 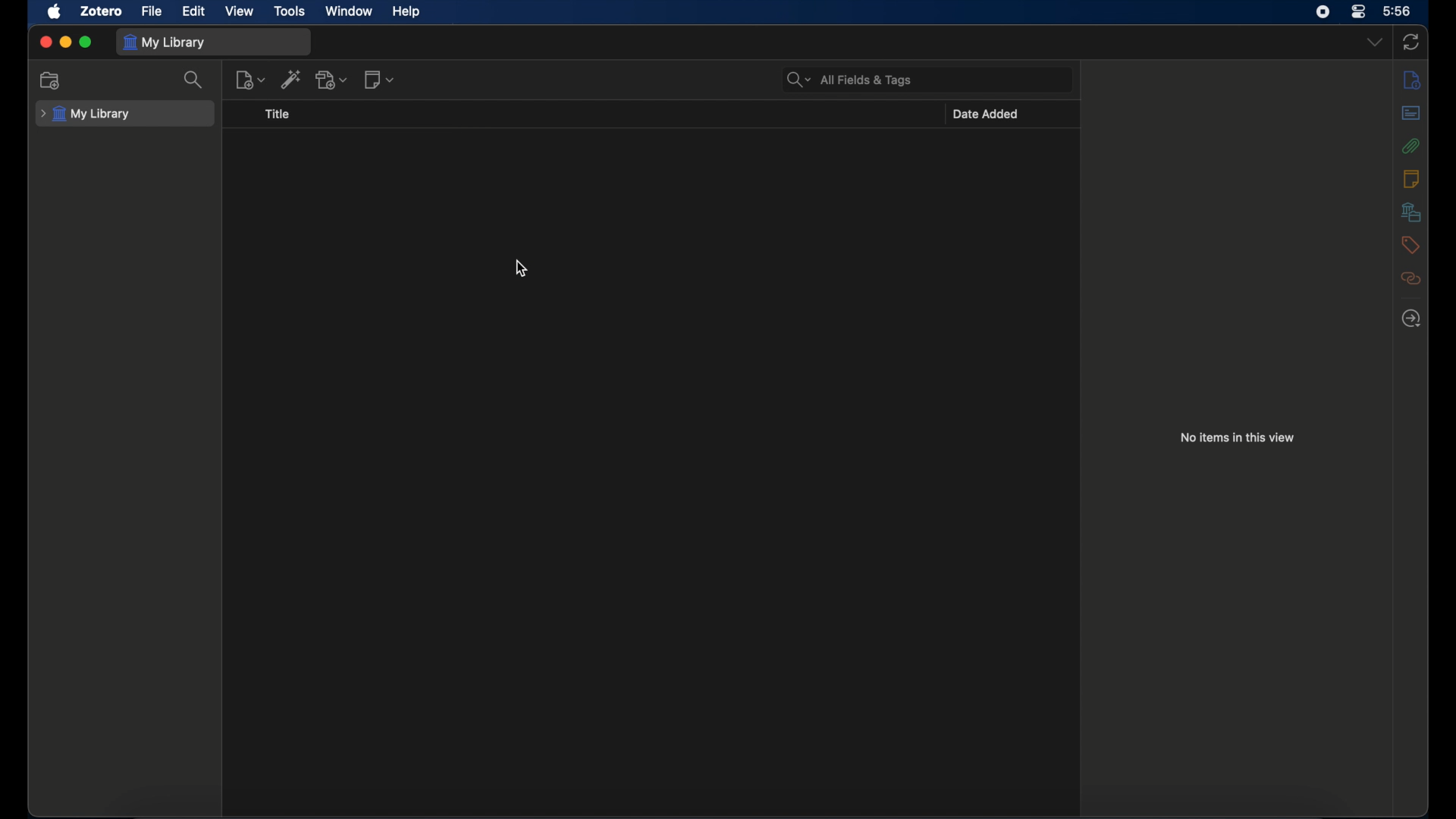 I want to click on new notes, so click(x=379, y=79).